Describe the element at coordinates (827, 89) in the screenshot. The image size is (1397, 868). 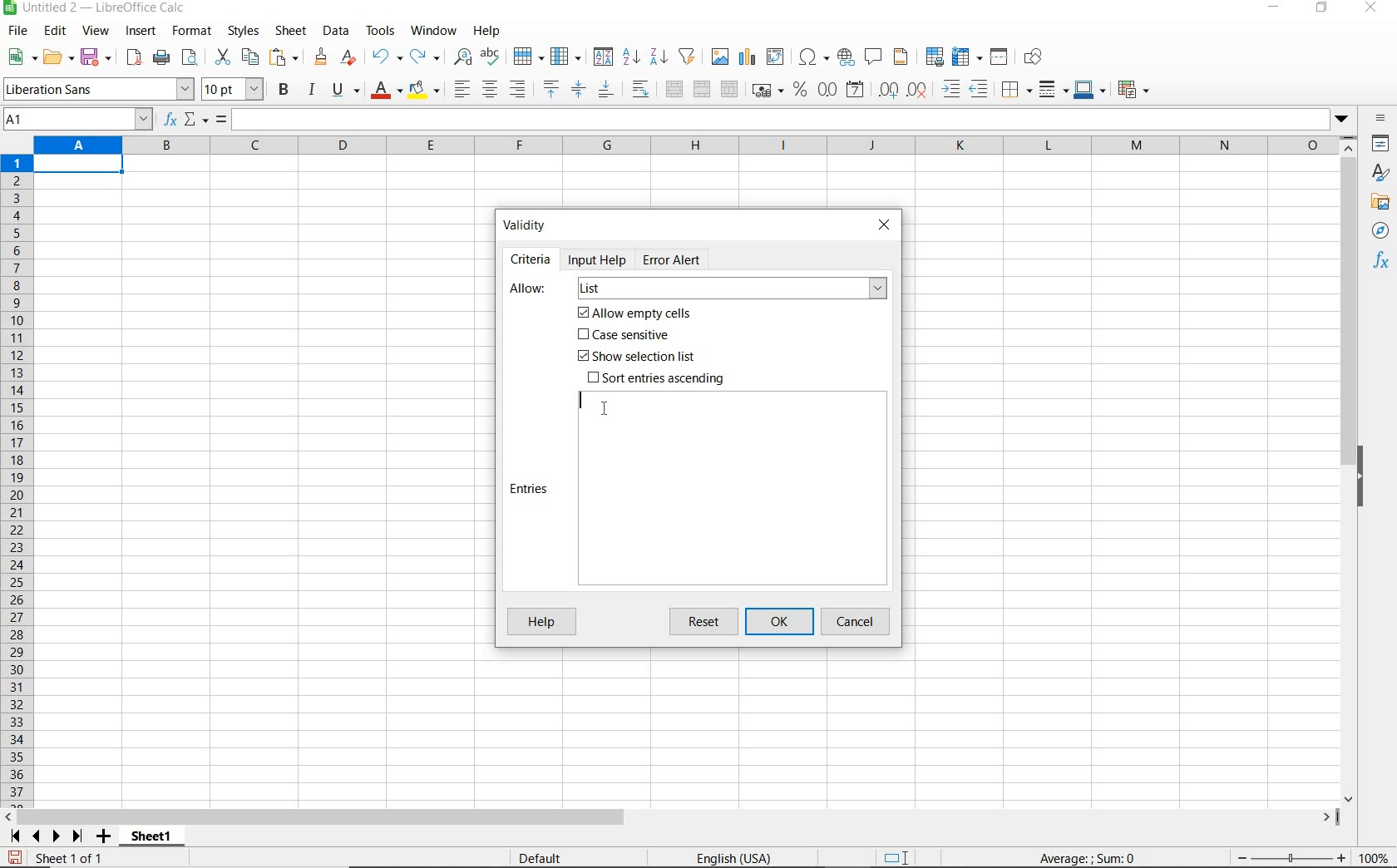
I see `format as number` at that location.